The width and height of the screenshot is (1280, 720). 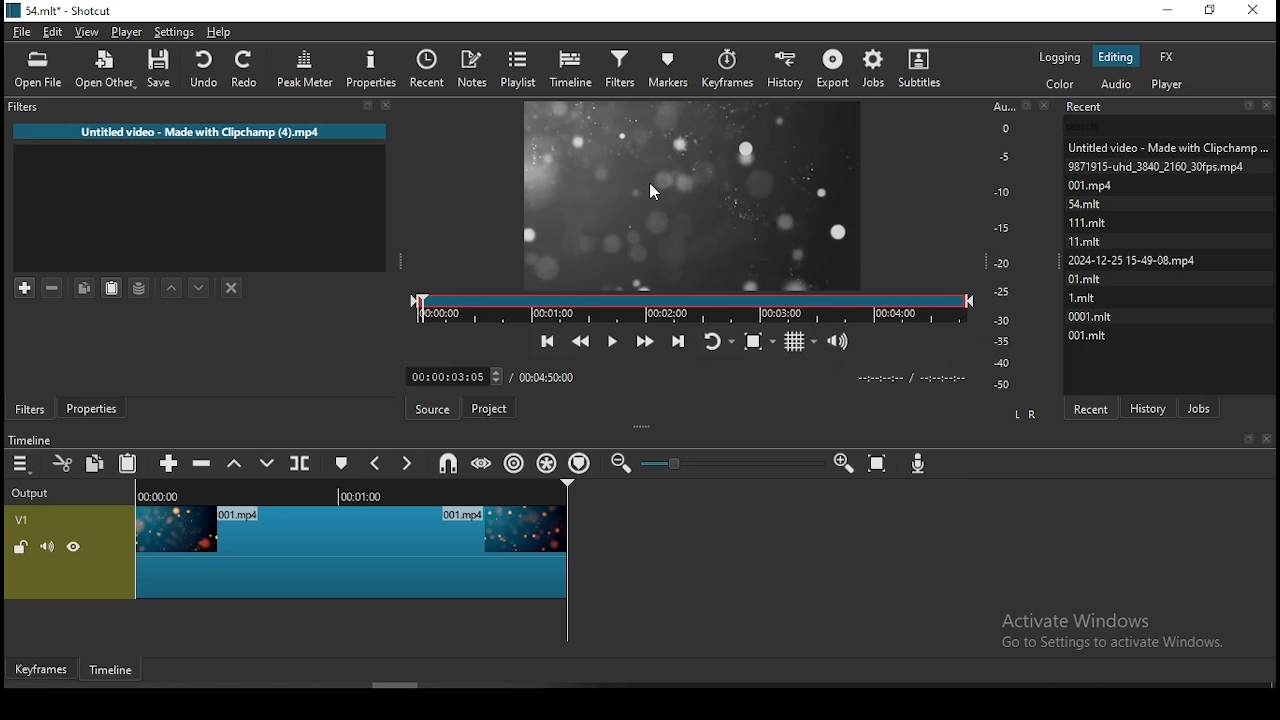 What do you see at coordinates (1027, 105) in the screenshot?
I see `Detach` at bounding box center [1027, 105].